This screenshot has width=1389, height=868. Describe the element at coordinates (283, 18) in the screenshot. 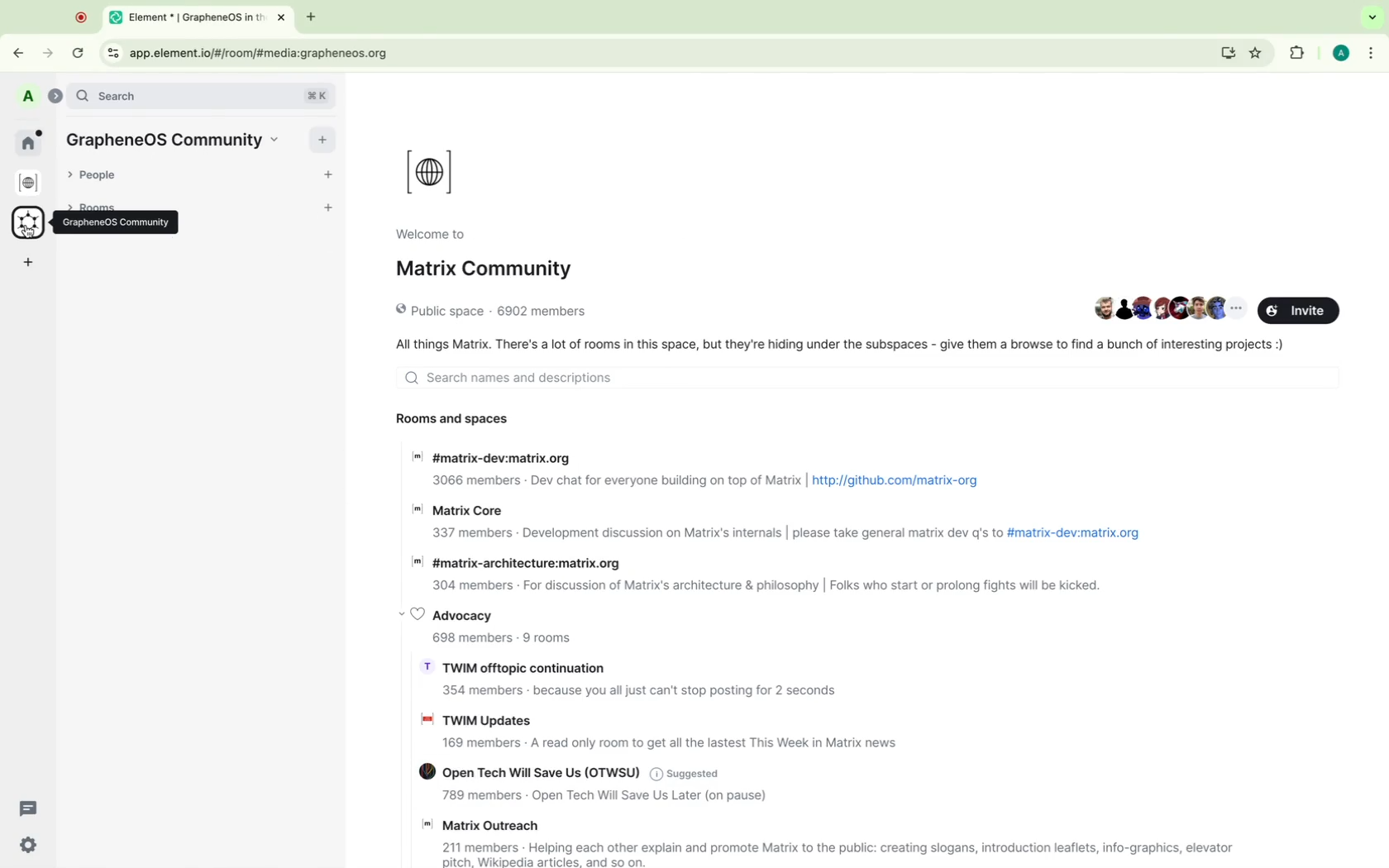

I see `close tab` at that location.